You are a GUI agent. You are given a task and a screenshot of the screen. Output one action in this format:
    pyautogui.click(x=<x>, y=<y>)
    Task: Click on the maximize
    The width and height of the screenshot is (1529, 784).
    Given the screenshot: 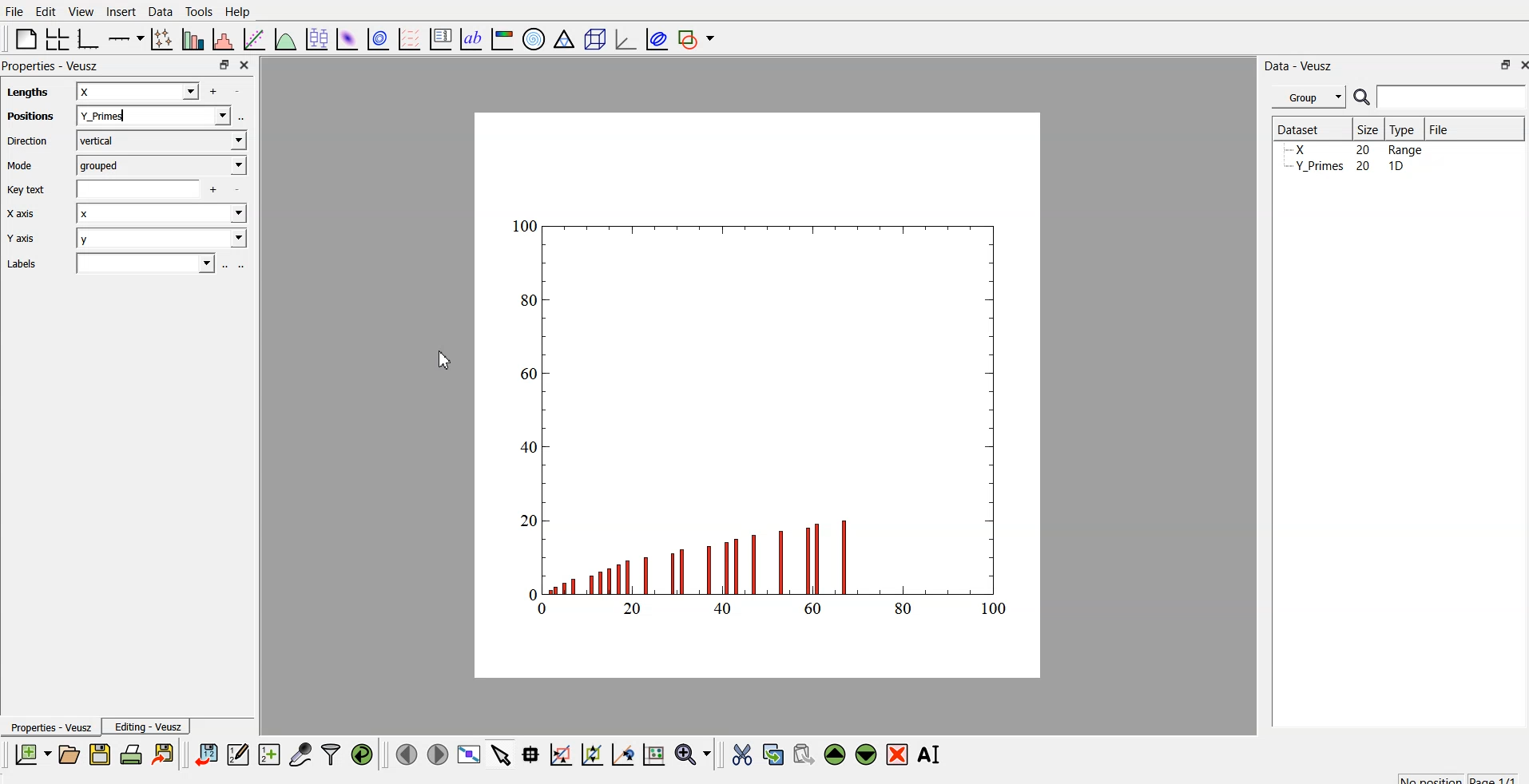 What is the action you would take?
    pyautogui.click(x=220, y=65)
    